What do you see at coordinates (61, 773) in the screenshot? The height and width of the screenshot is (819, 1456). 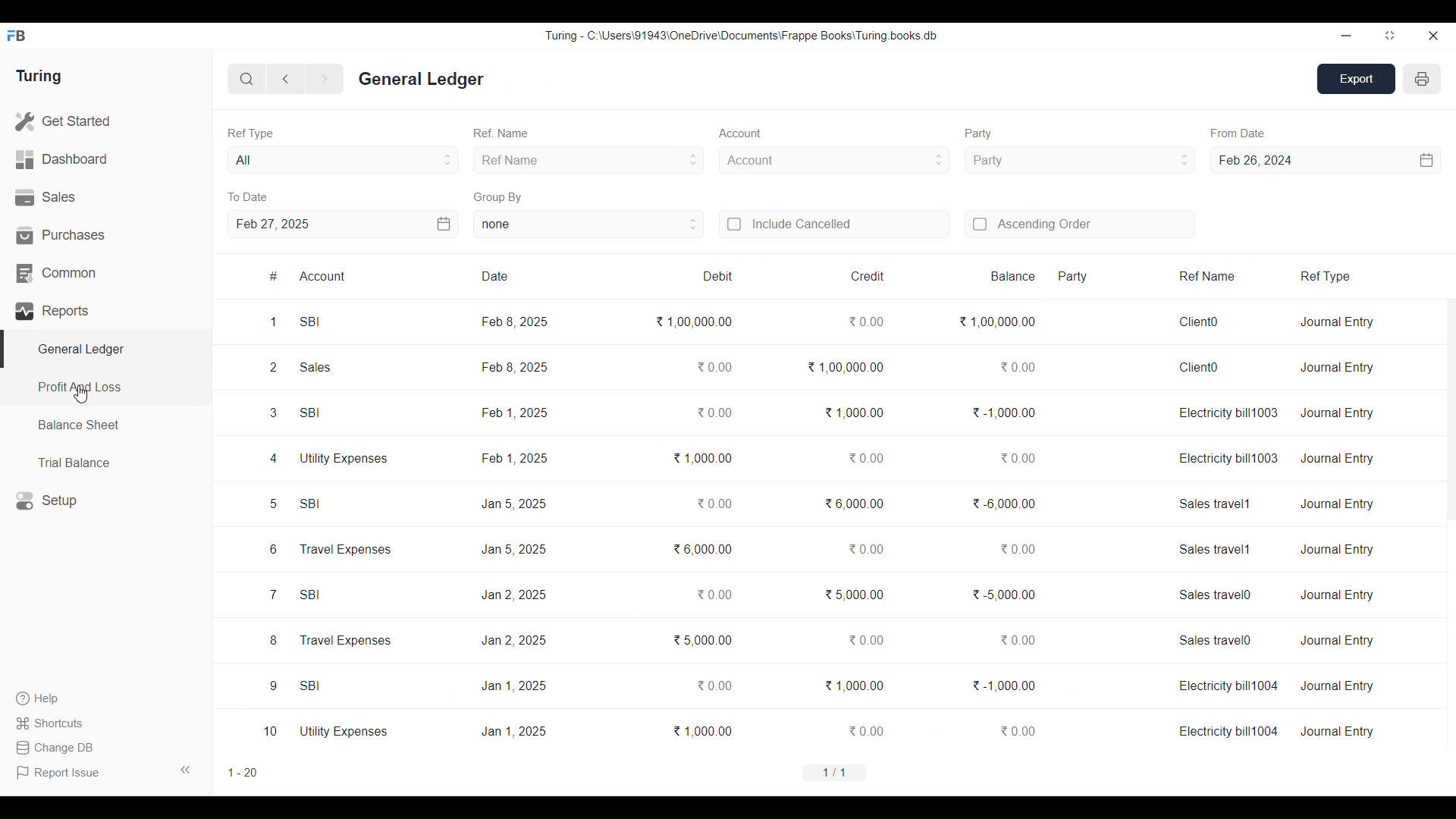 I see `Report Issue` at bounding box center [61, 773].